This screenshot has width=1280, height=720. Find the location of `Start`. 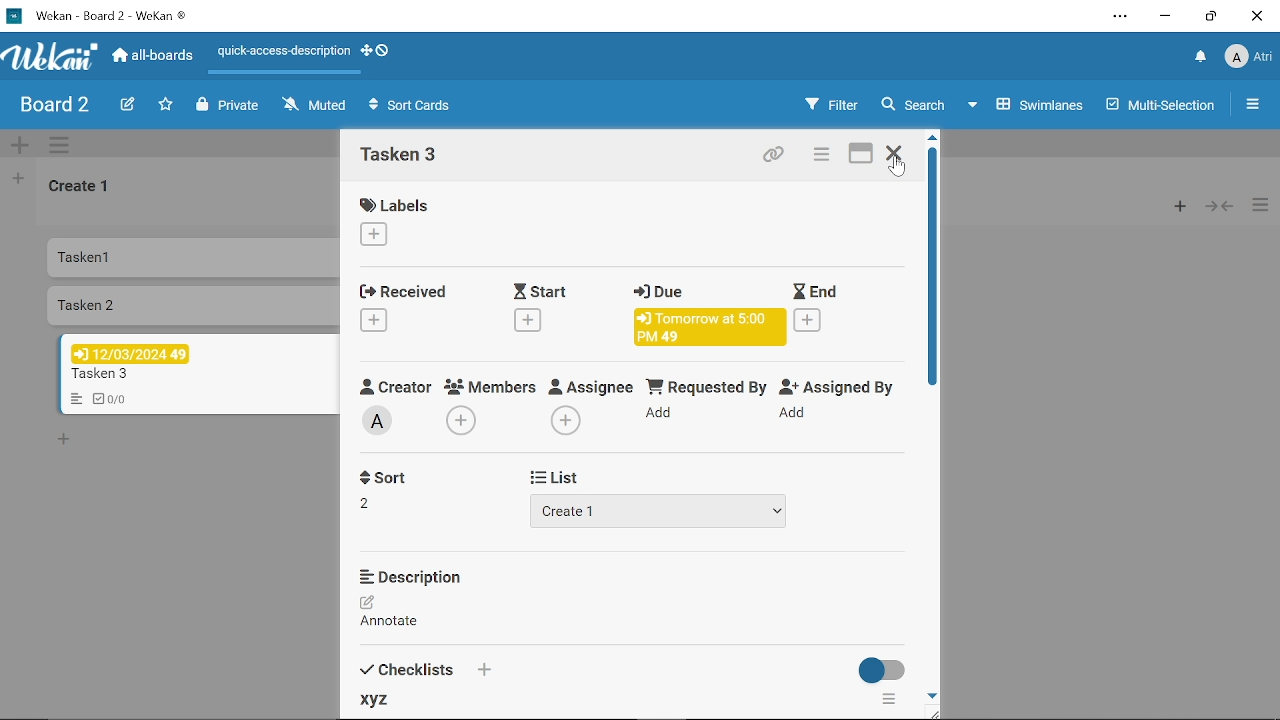

Start is located at coordinates (544, 291).